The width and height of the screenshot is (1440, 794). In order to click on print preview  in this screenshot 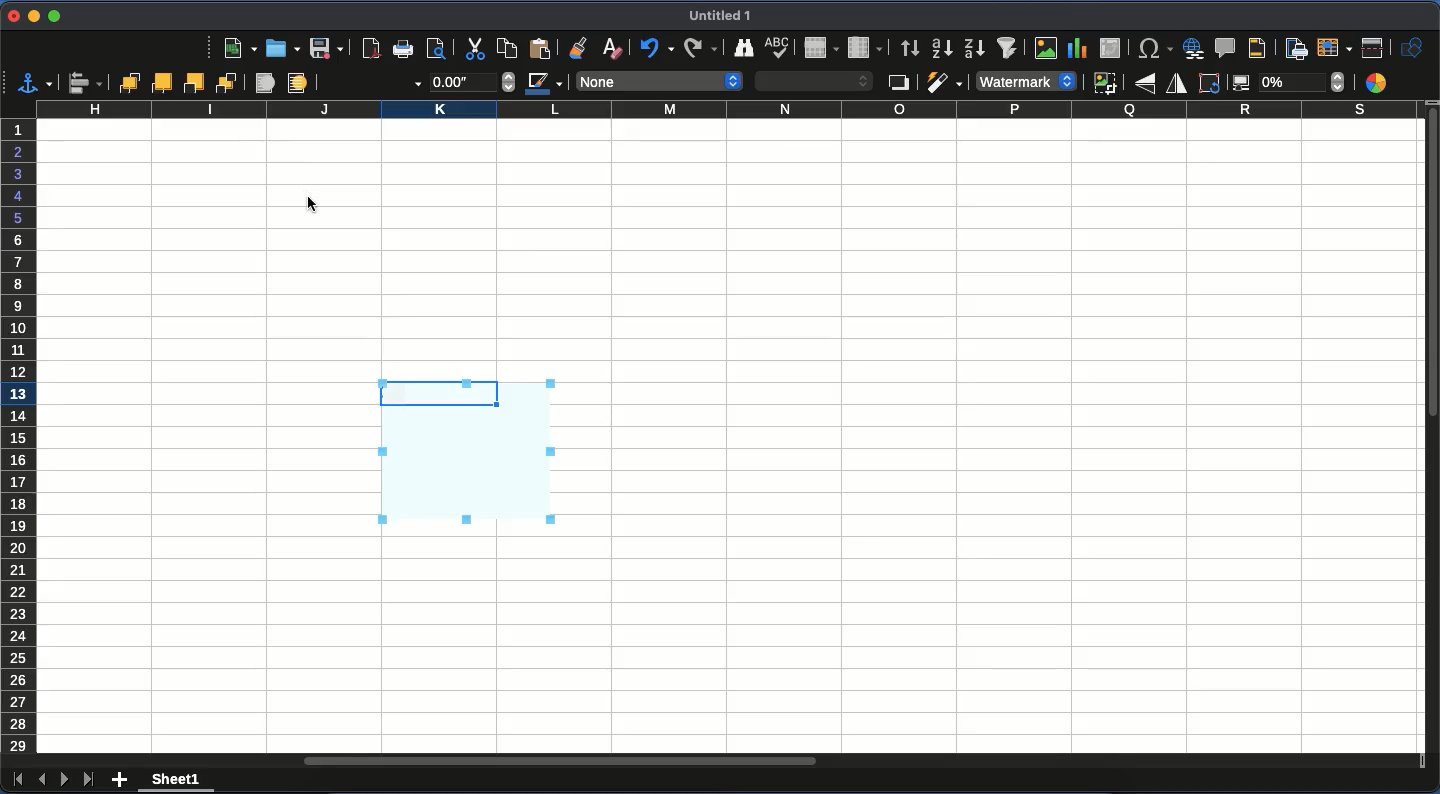, I will do `click(440, 49)`.